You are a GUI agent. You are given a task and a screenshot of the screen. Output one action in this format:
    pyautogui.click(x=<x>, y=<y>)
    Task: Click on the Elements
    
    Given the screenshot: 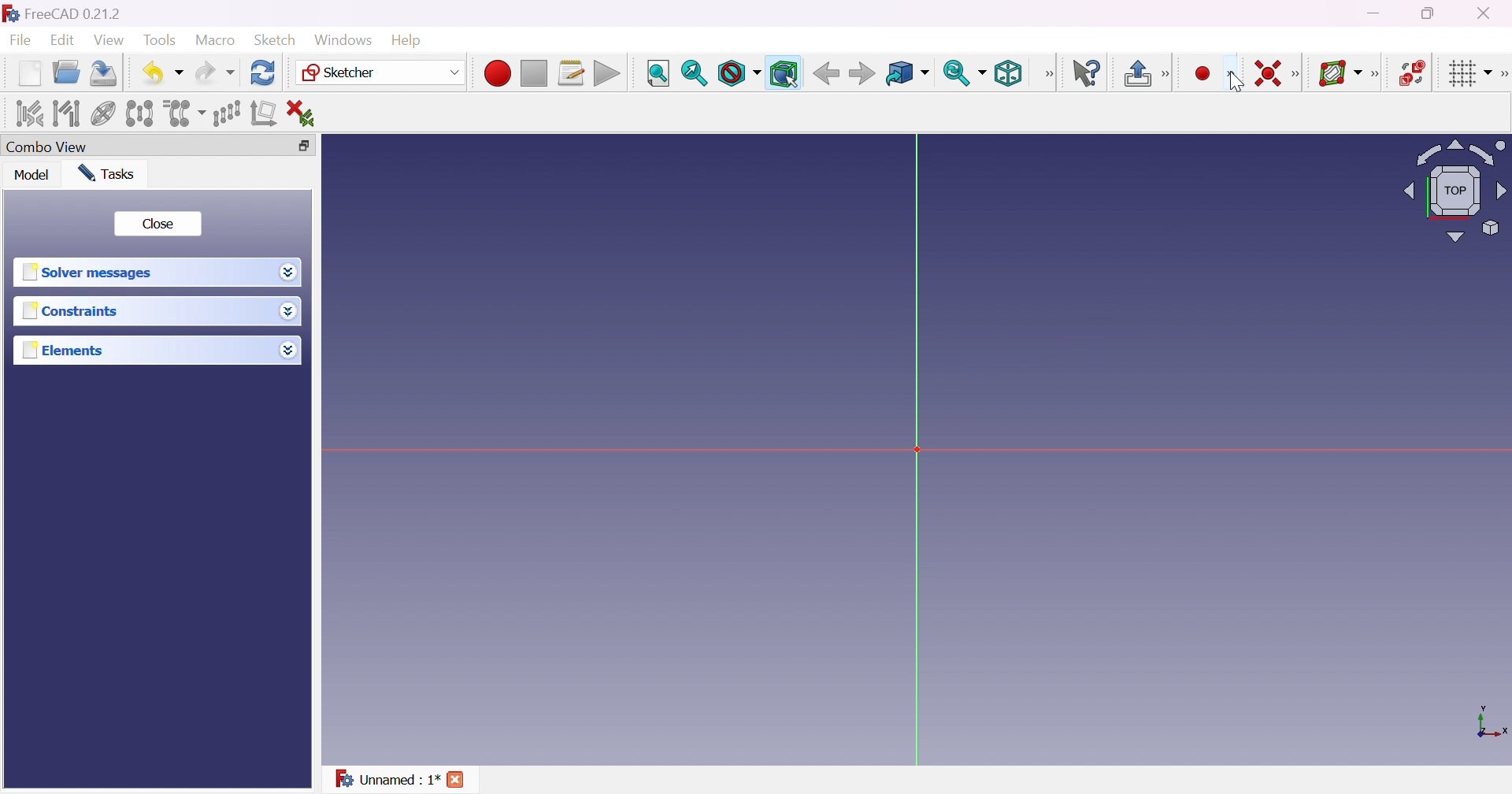 What is the action you would take?
    pyautogui.click(x=65, y=350)
    